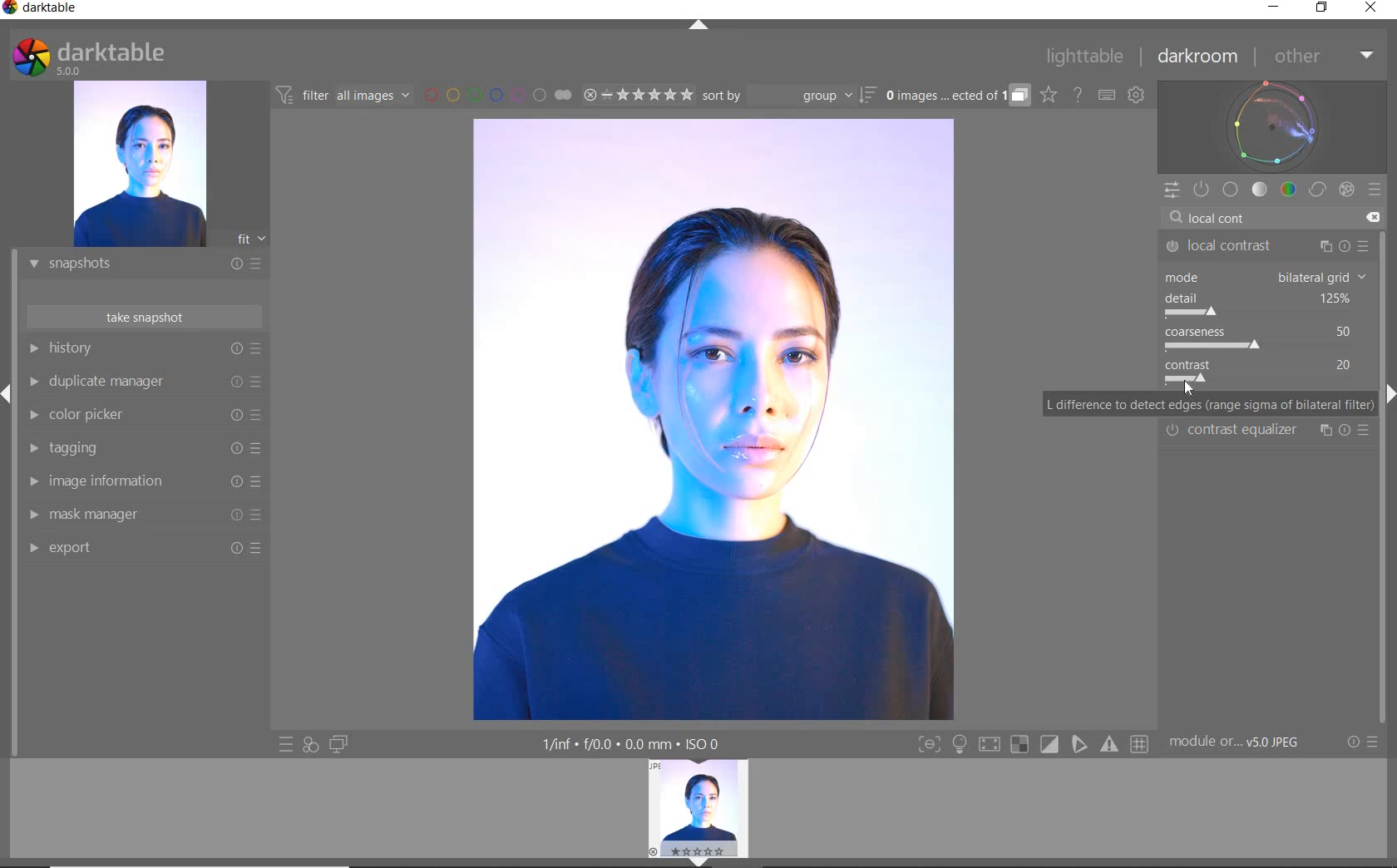  Describe the element at coordinates (1211, 403) in the screenshot. I see `L difference to detect edges (range sigma of bilateral filter)` at that location.